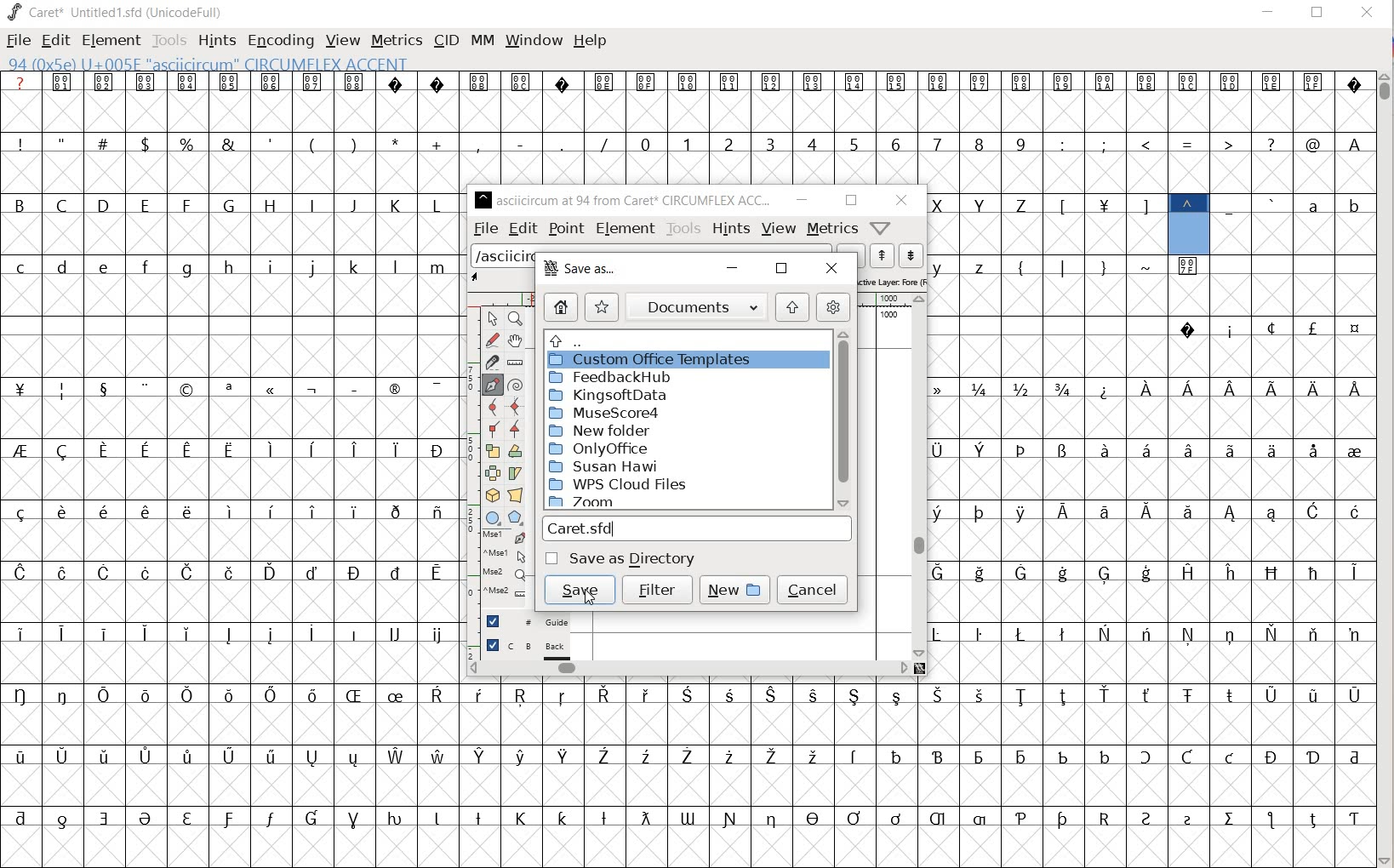 The width and height of the screenshot is (1394, 868). What do you see at coordinates (490, 494) in the screenshot?
I see `rotate the selection in 3D and project back to plane` at bounding box center [490, 494].